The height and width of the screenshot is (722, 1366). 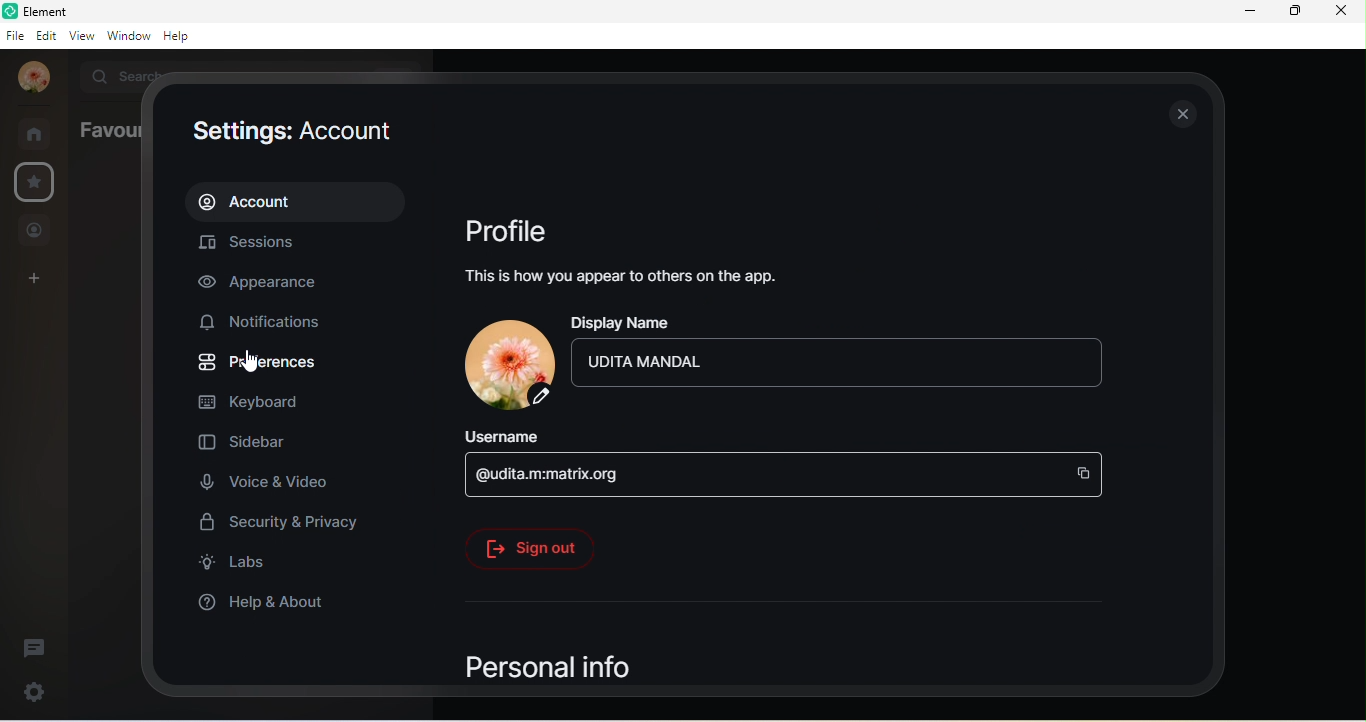 What do you see at coordinates (253, 402) in the screenshot?
I see `keyboard` at bounding box center [253, 402].